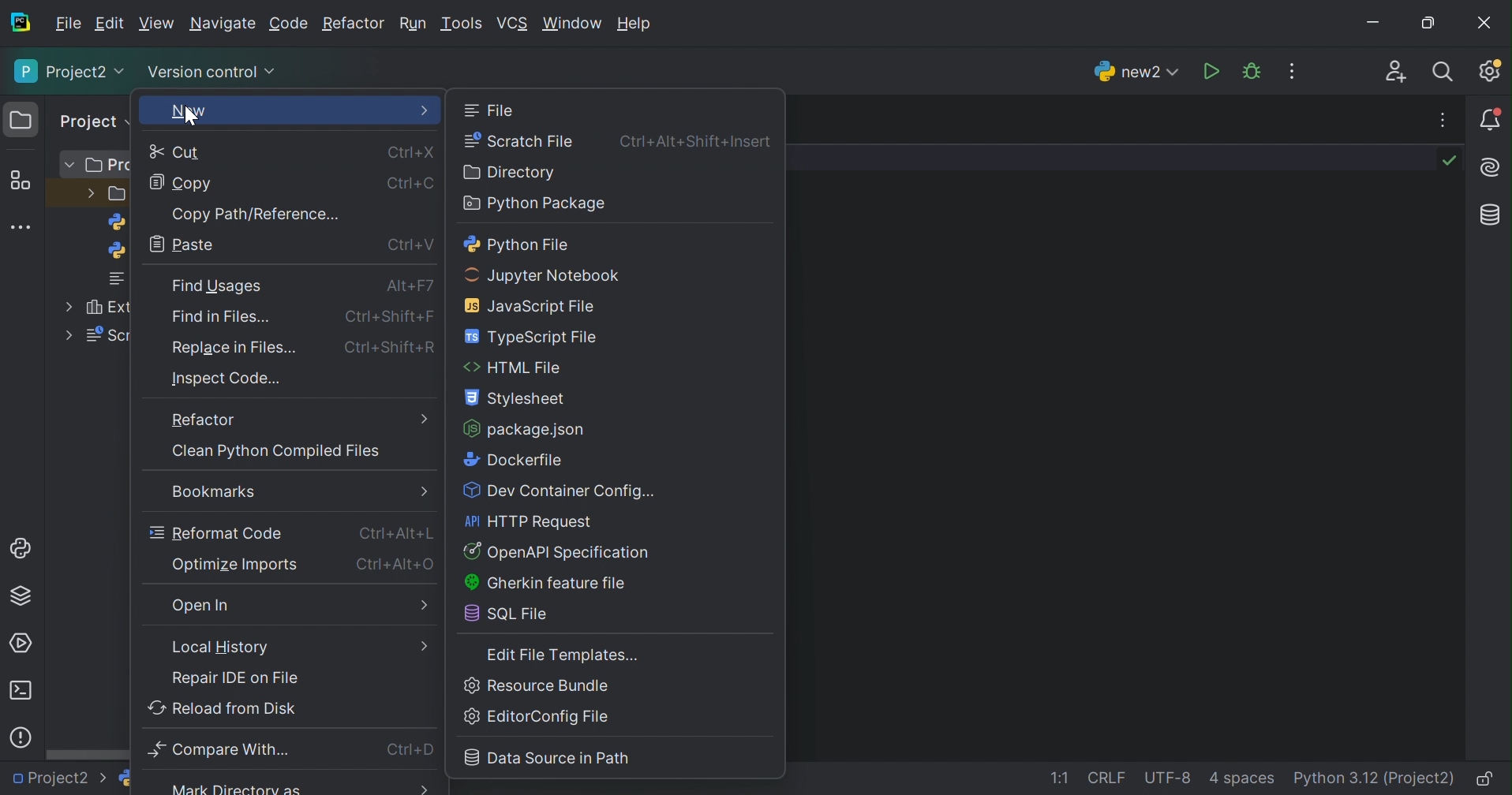 This screenshot has height=795, width=1512. What do you see at coordinates (421, 789) in the screenshot?
I see `More` at bounding box center [421, 789].